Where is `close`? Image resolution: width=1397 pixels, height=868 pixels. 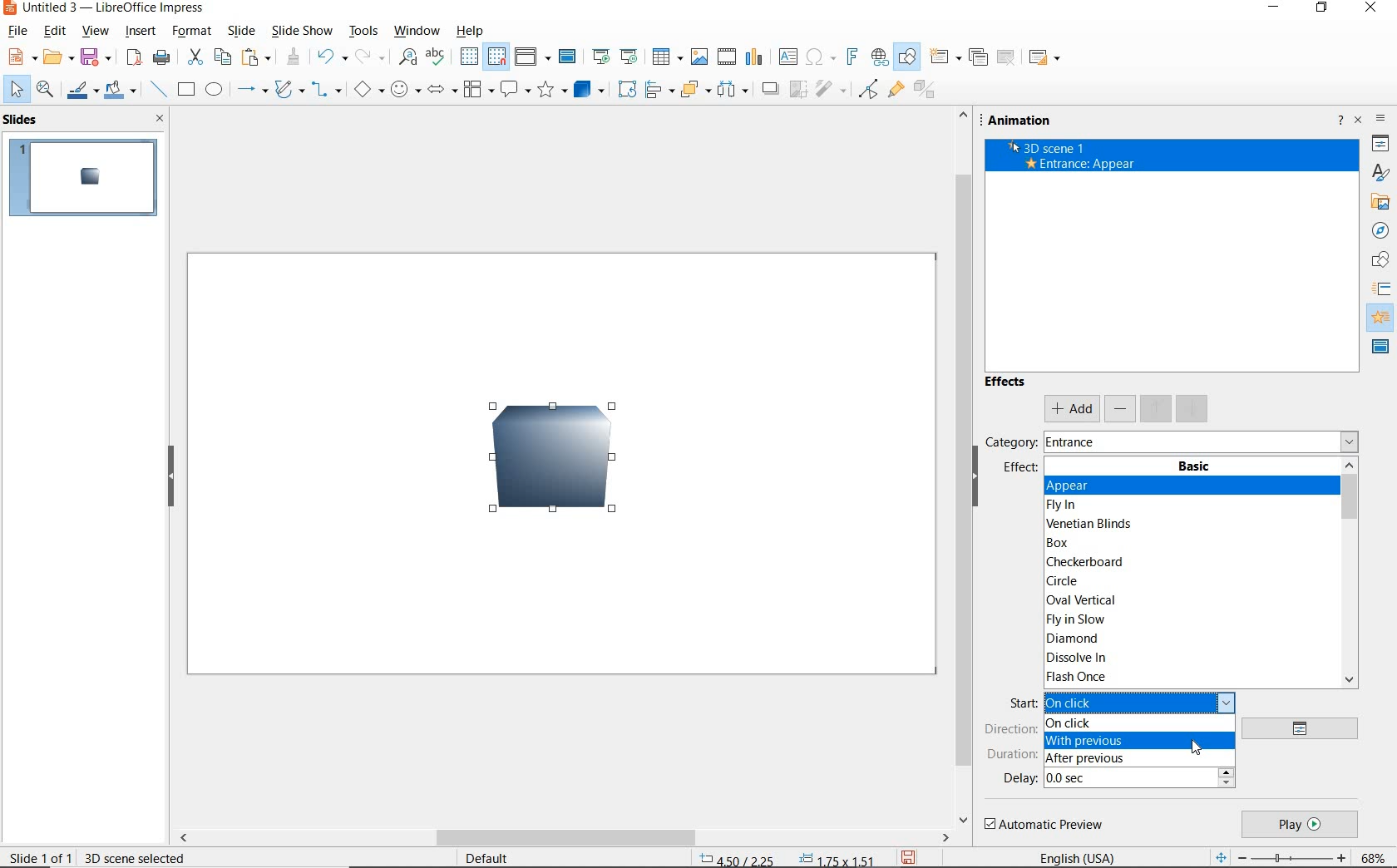
close is located at coordinates (160, 119).